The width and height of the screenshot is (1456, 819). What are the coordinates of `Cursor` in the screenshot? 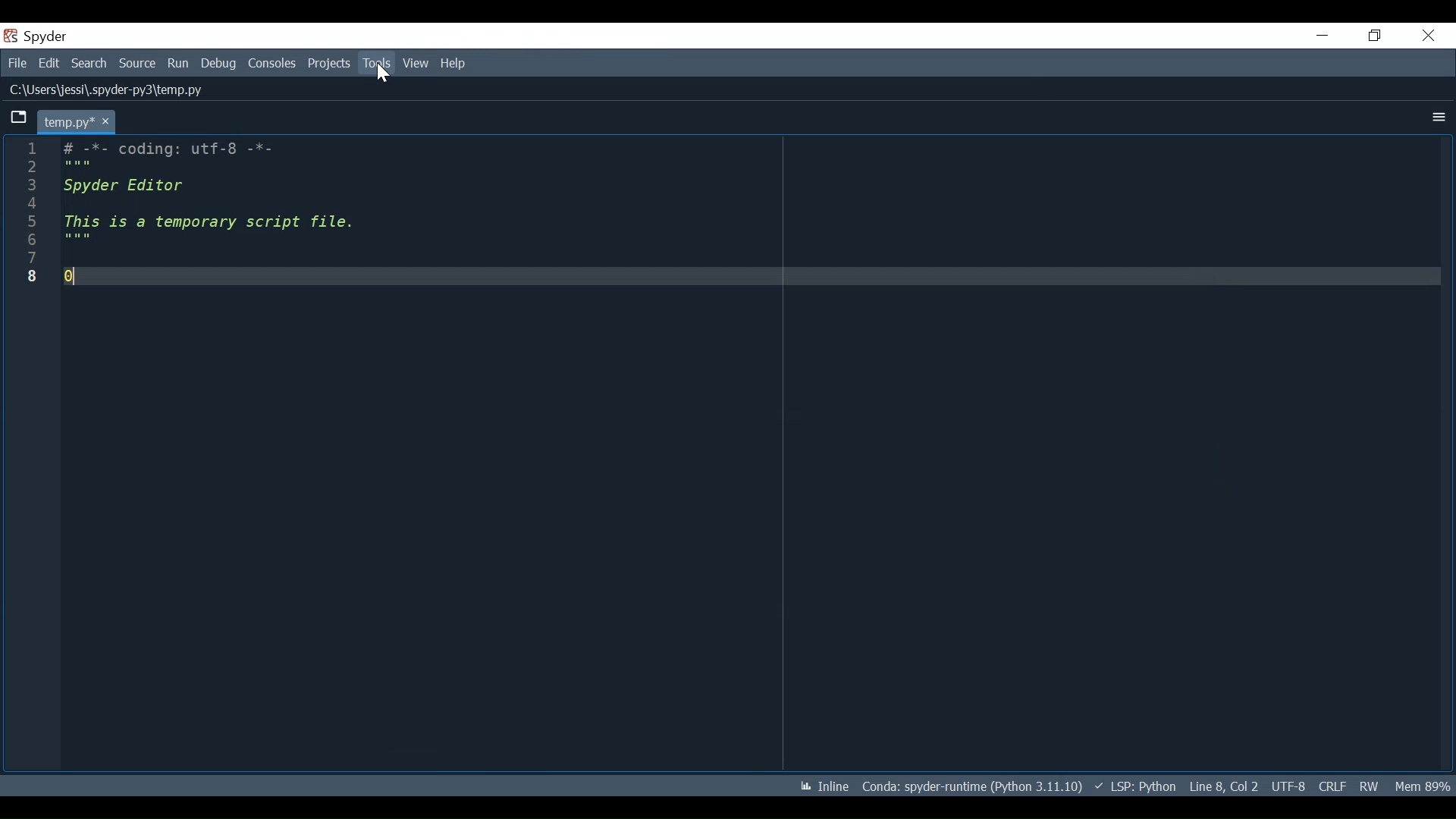 It's located at (384, 73).